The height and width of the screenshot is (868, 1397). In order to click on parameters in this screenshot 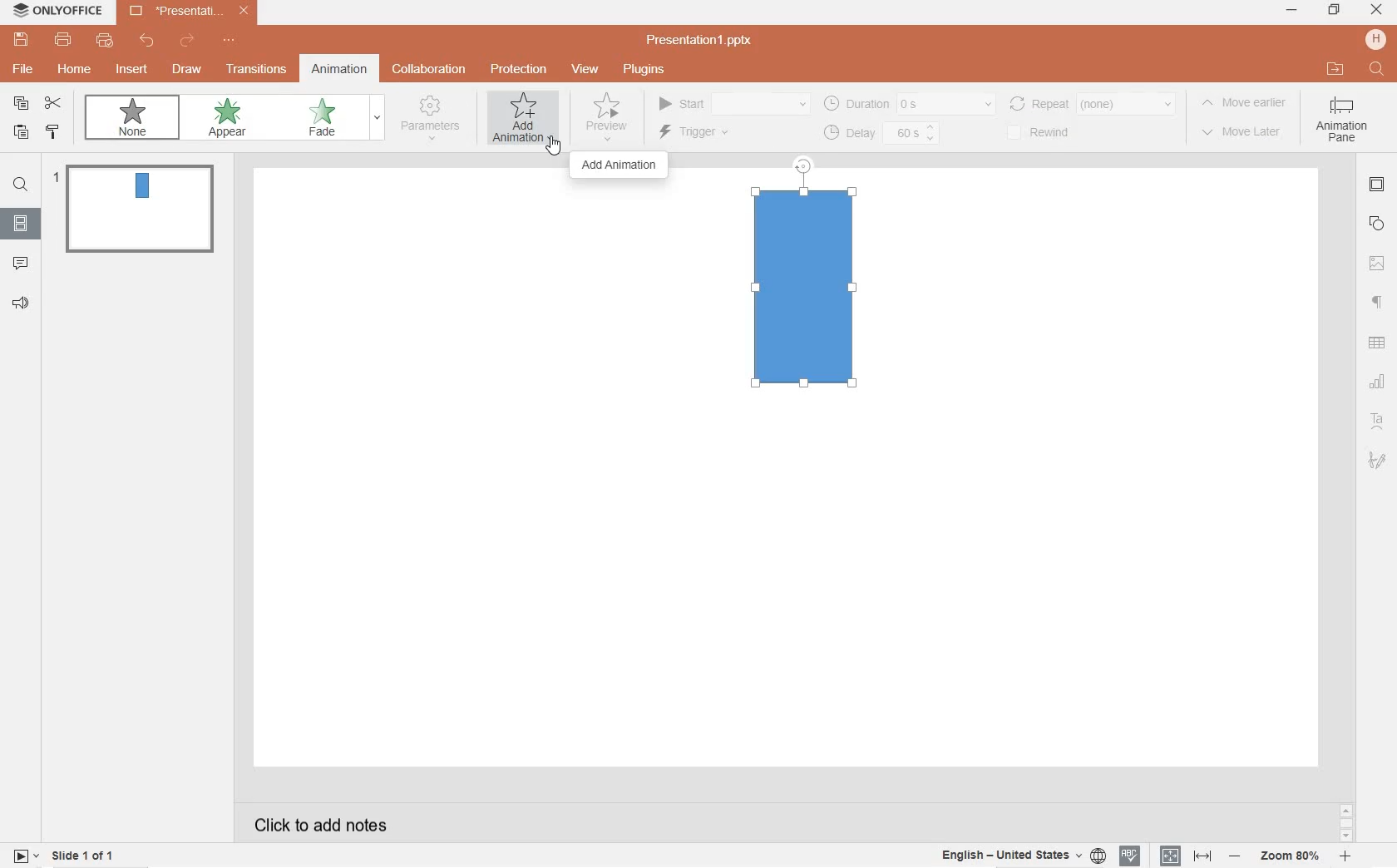, I will do `click(433, 121)`.